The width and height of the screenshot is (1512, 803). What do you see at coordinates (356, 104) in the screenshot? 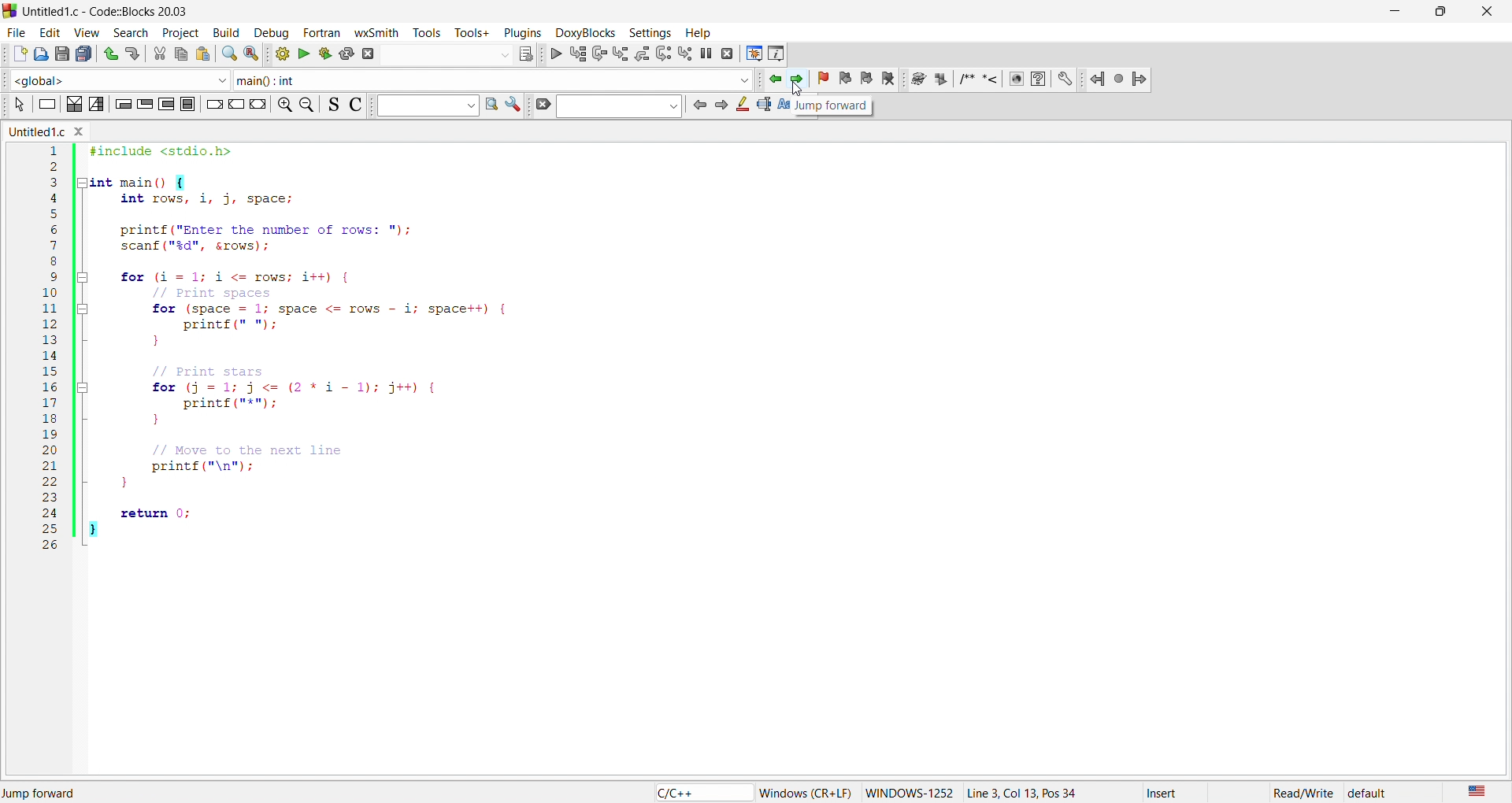
I see `icon` at bounding box center [356, 104].